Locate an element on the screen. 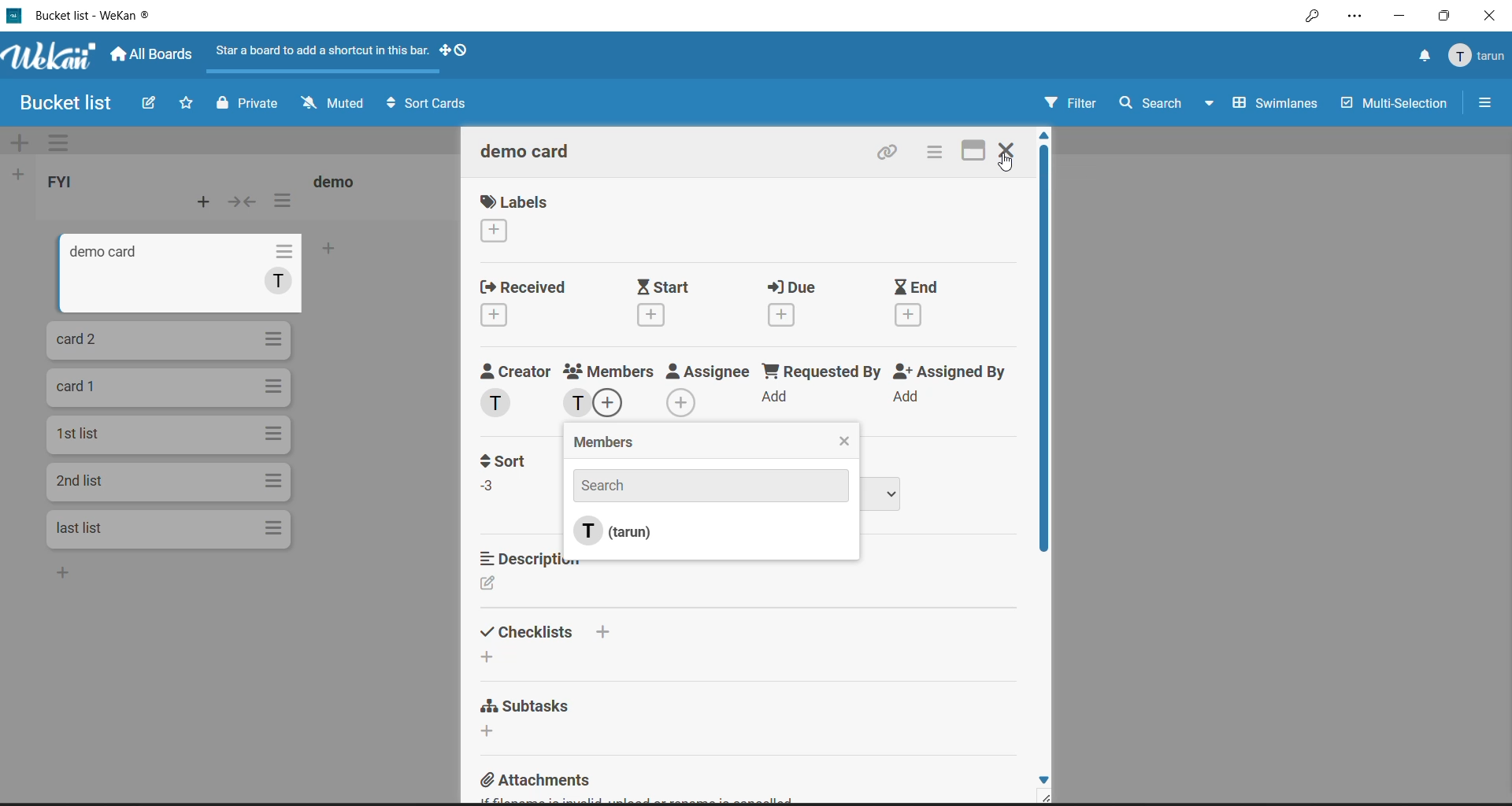 The width and height of the screenshot is (1512, 806). card bottom of list is located at coordinates (93, 527).